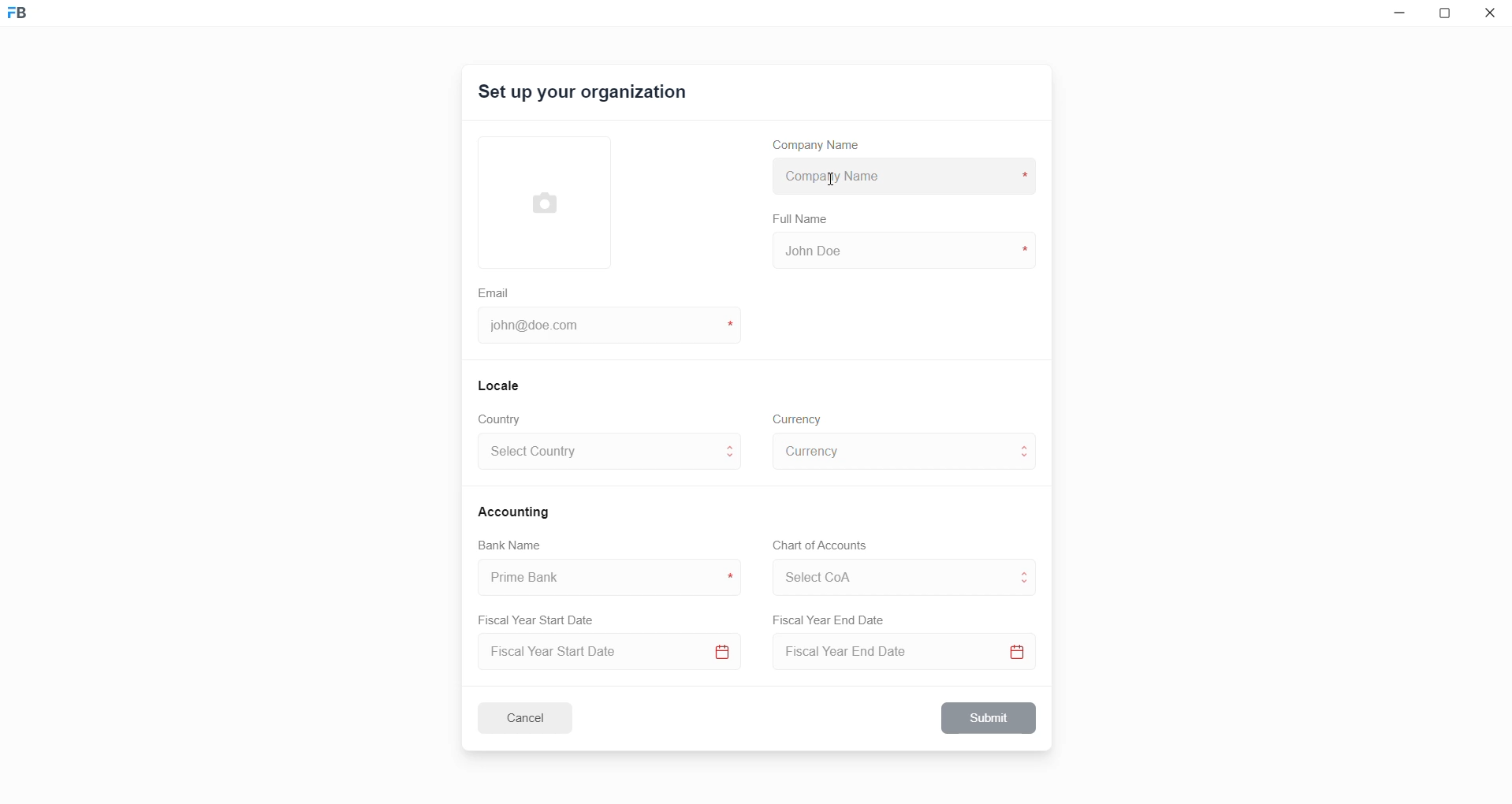 Image resolution: width=1512 pixels, height=804 pixels. What do you see at coordinates (31, 20) in the screenshot?
I see `Frappe Book logo` at bounding box center [31, 20].